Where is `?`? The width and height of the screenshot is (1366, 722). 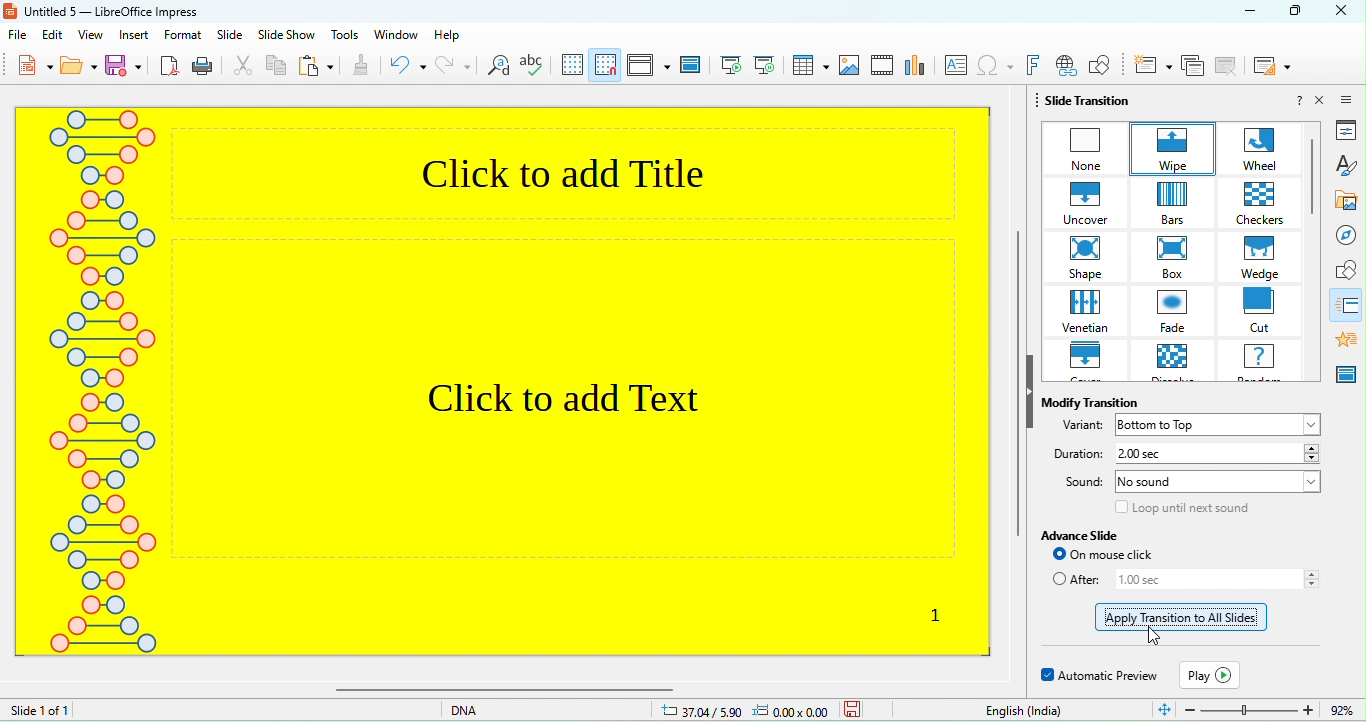
? is located at coordinates (1292, 102).